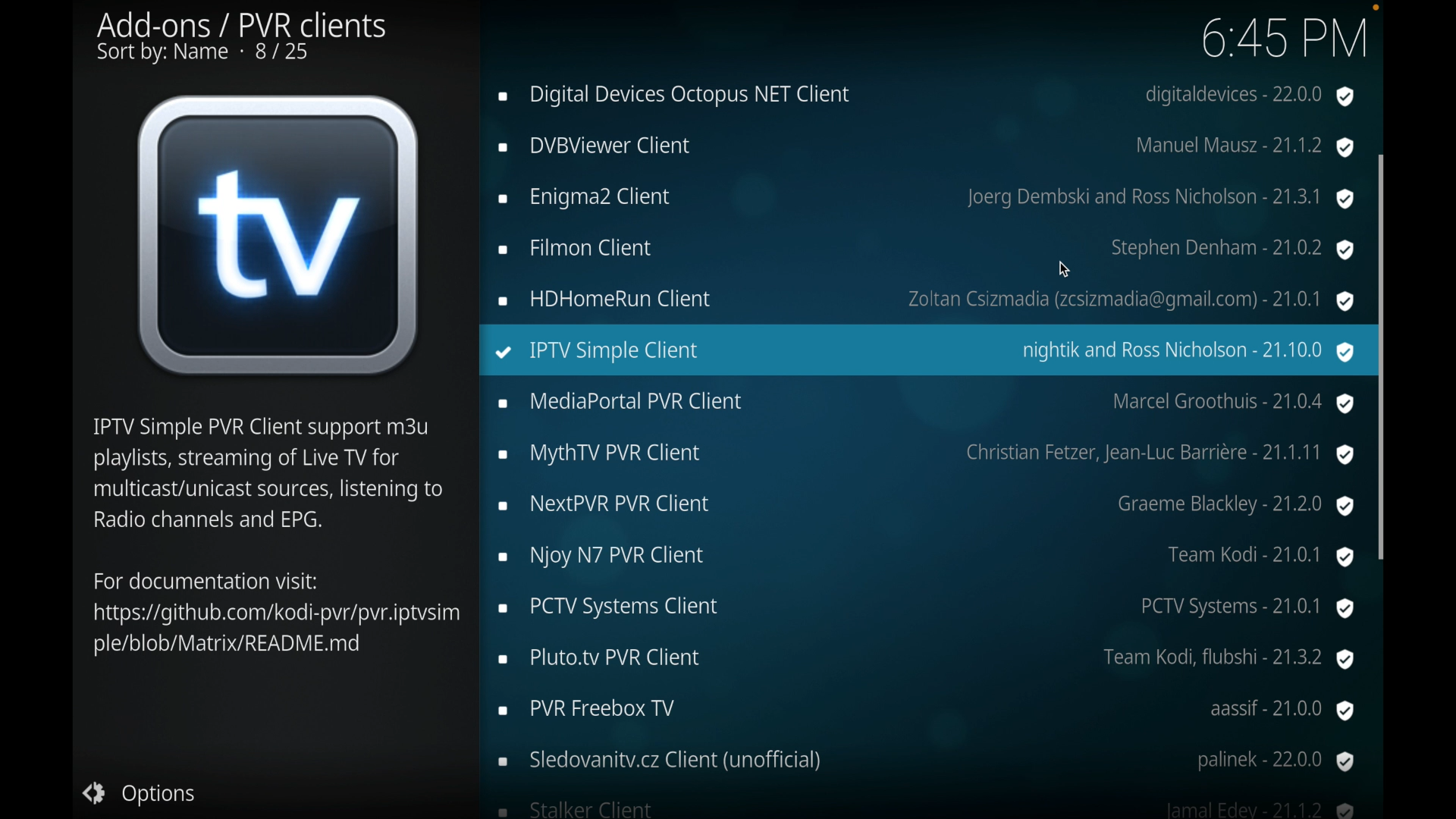  Describe the element at coordinates (930, 403) in the screenshot. I see `media portal pvr client` at that location.